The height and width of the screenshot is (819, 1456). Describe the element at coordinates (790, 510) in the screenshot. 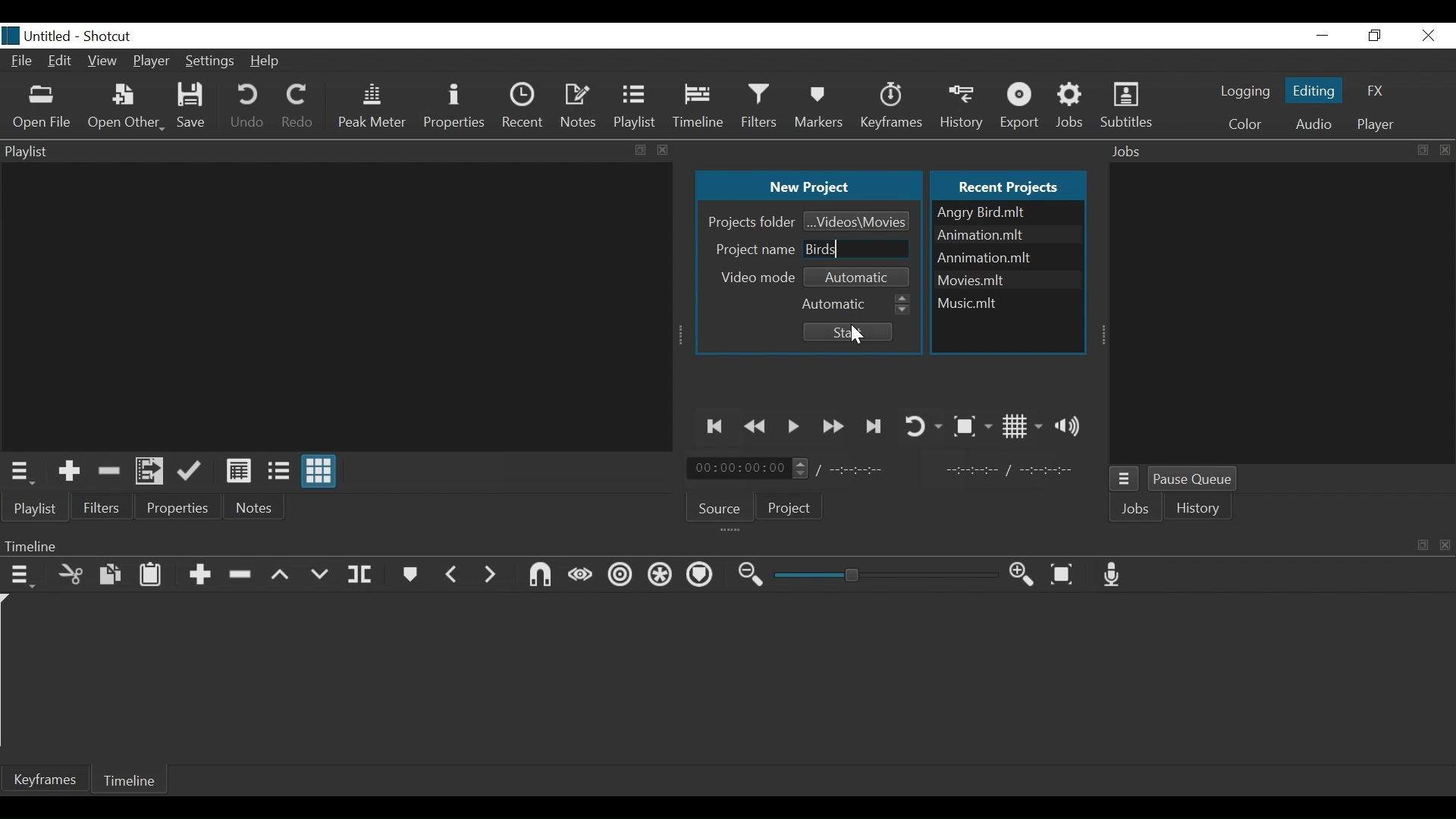

I see `Project` at that location.